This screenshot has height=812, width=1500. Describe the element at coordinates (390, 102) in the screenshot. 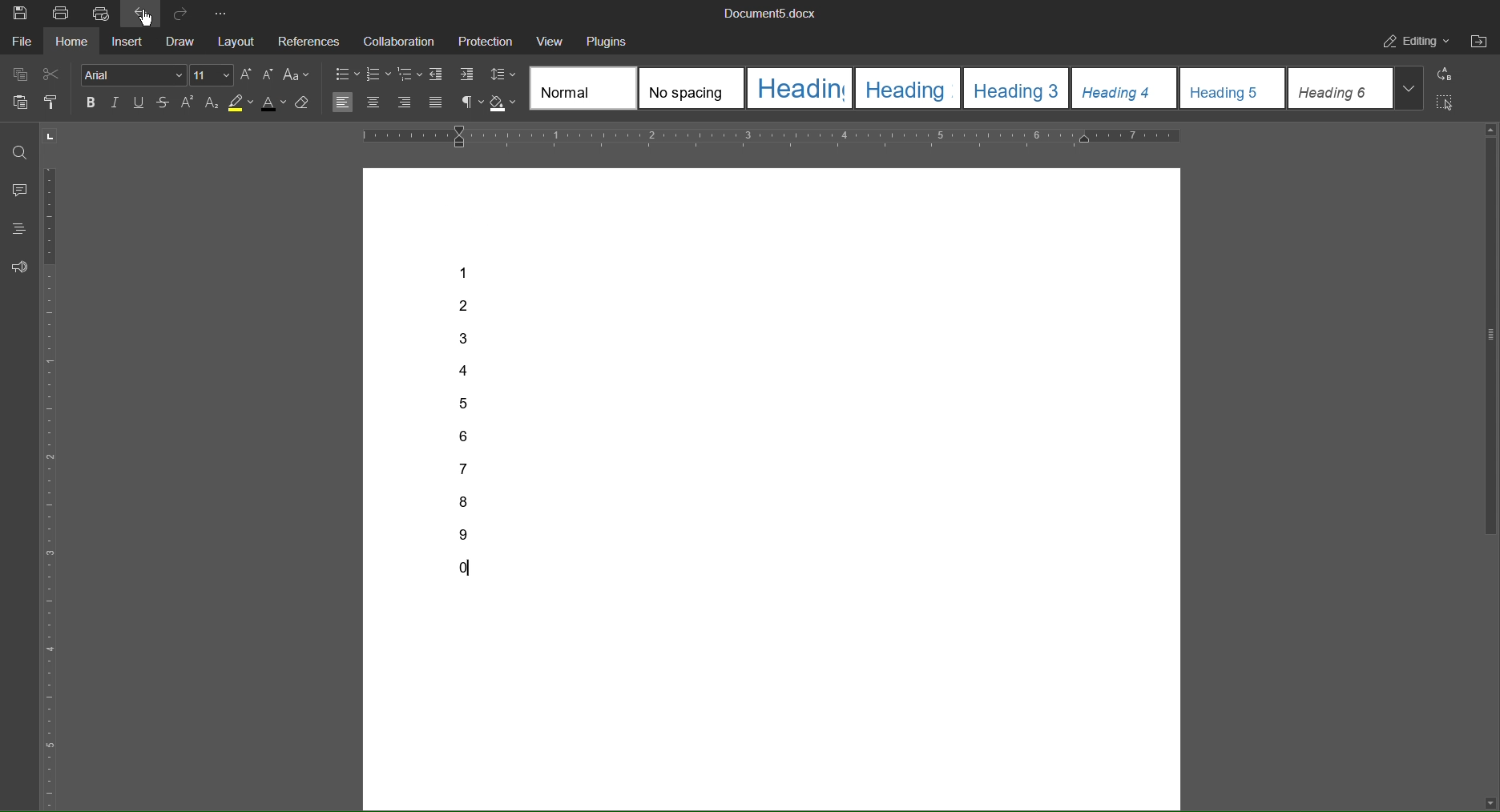

I see `Alignment` at that location.